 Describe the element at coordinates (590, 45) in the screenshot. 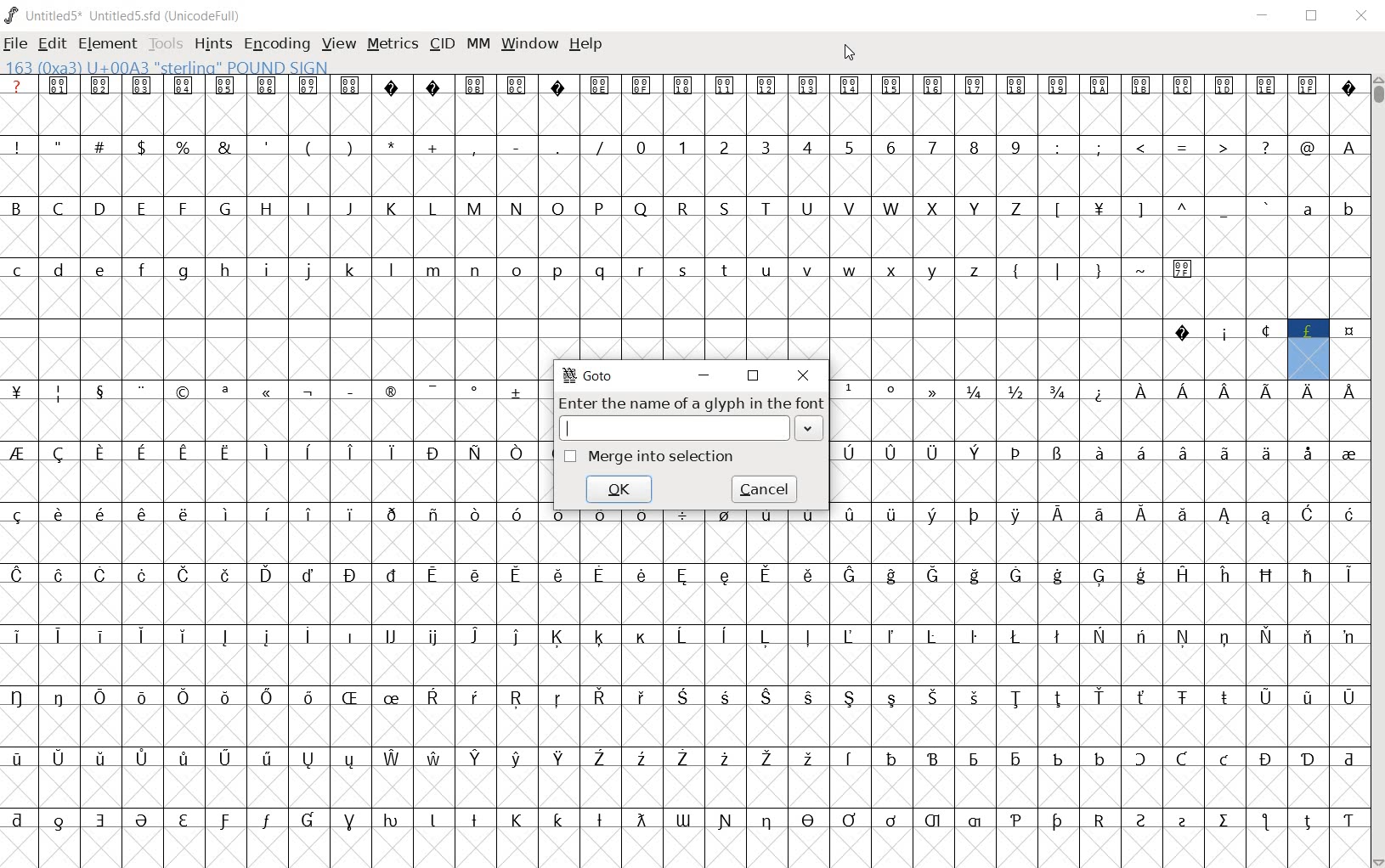

I see `HELP` at that location.